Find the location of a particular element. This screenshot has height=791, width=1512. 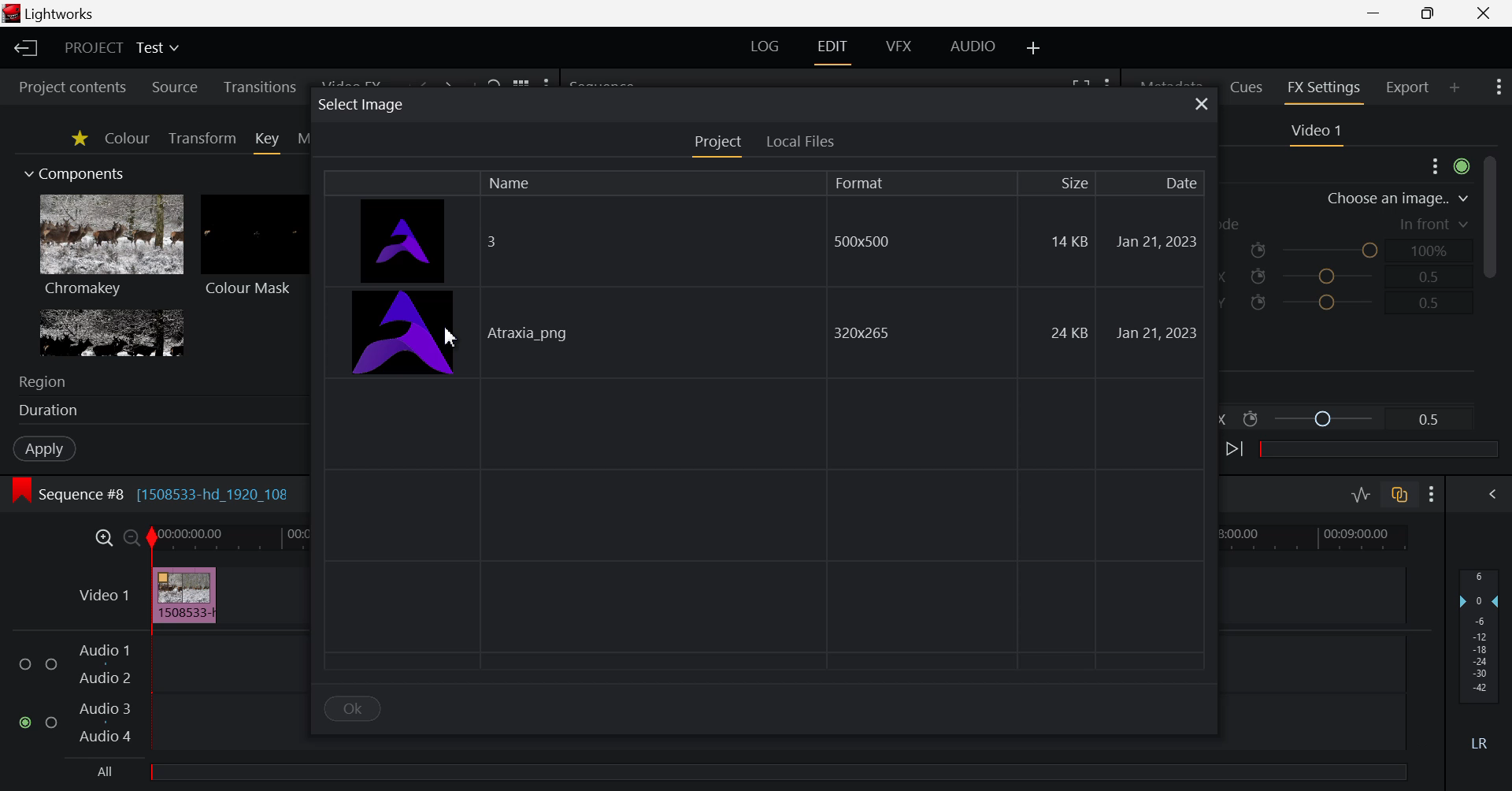

image is located at coordinates (402, 334).